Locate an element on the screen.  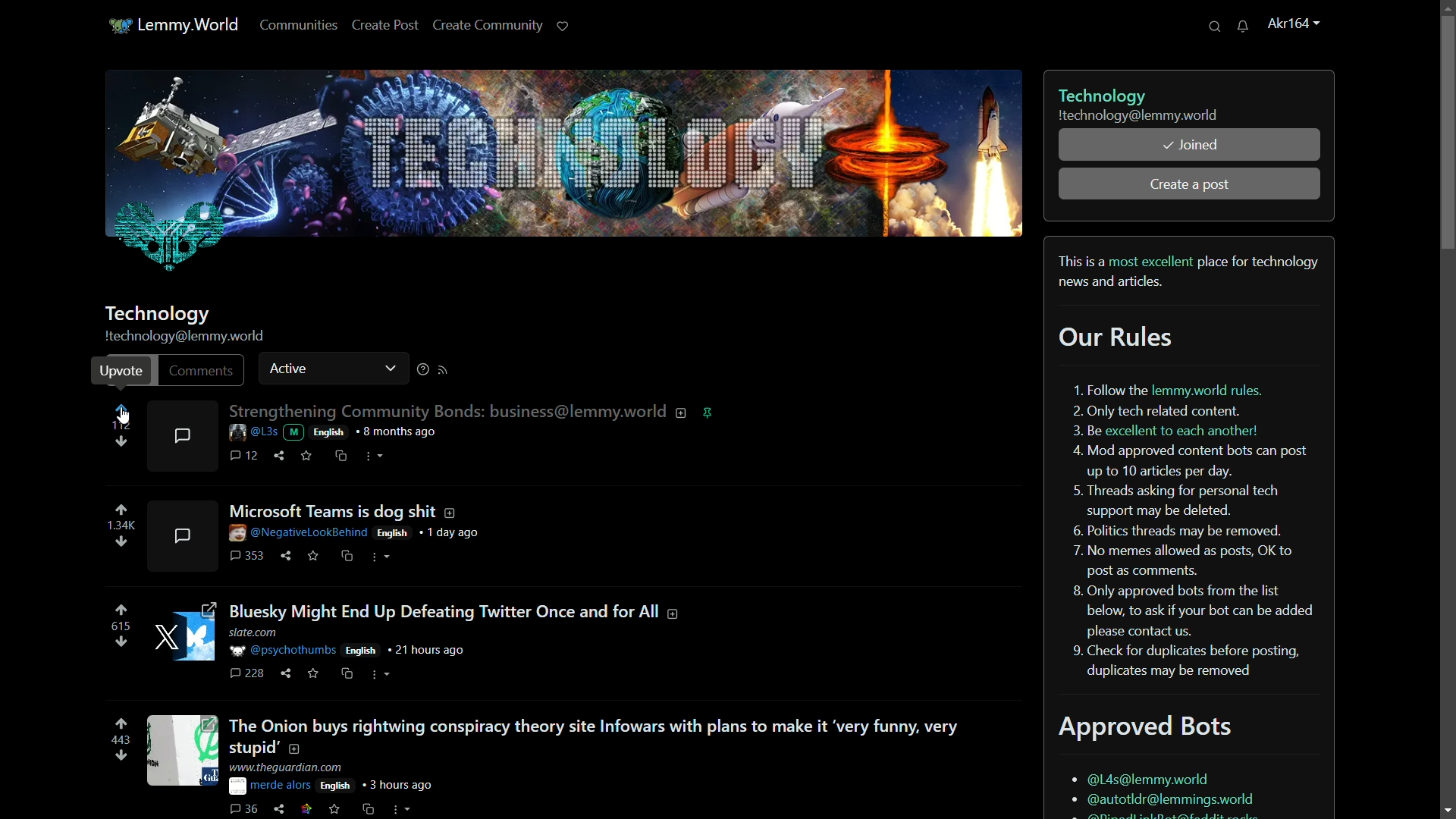
comments is located at coordinates (202, 371).